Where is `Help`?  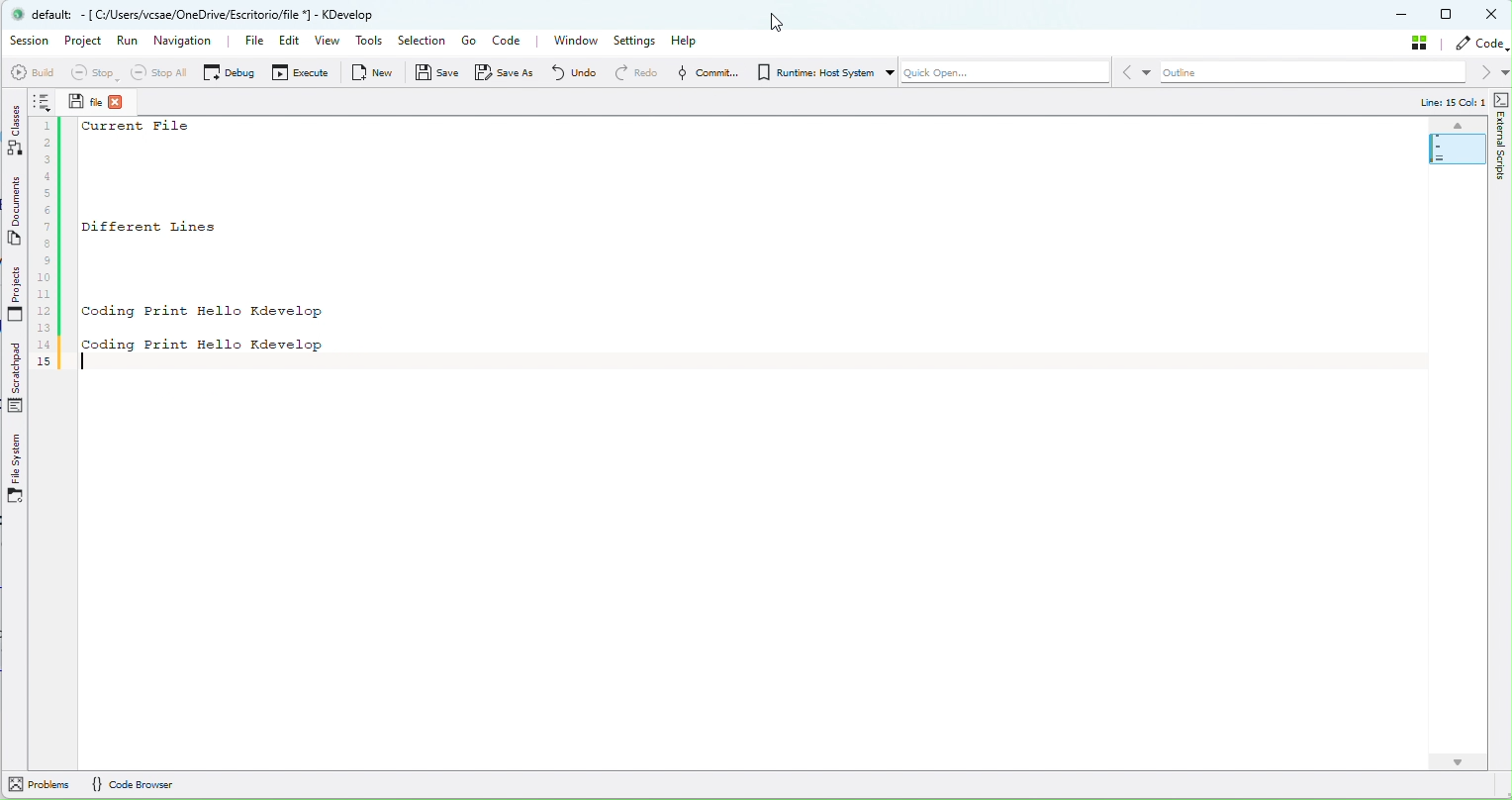
Help is located at coordinates (691, 40).